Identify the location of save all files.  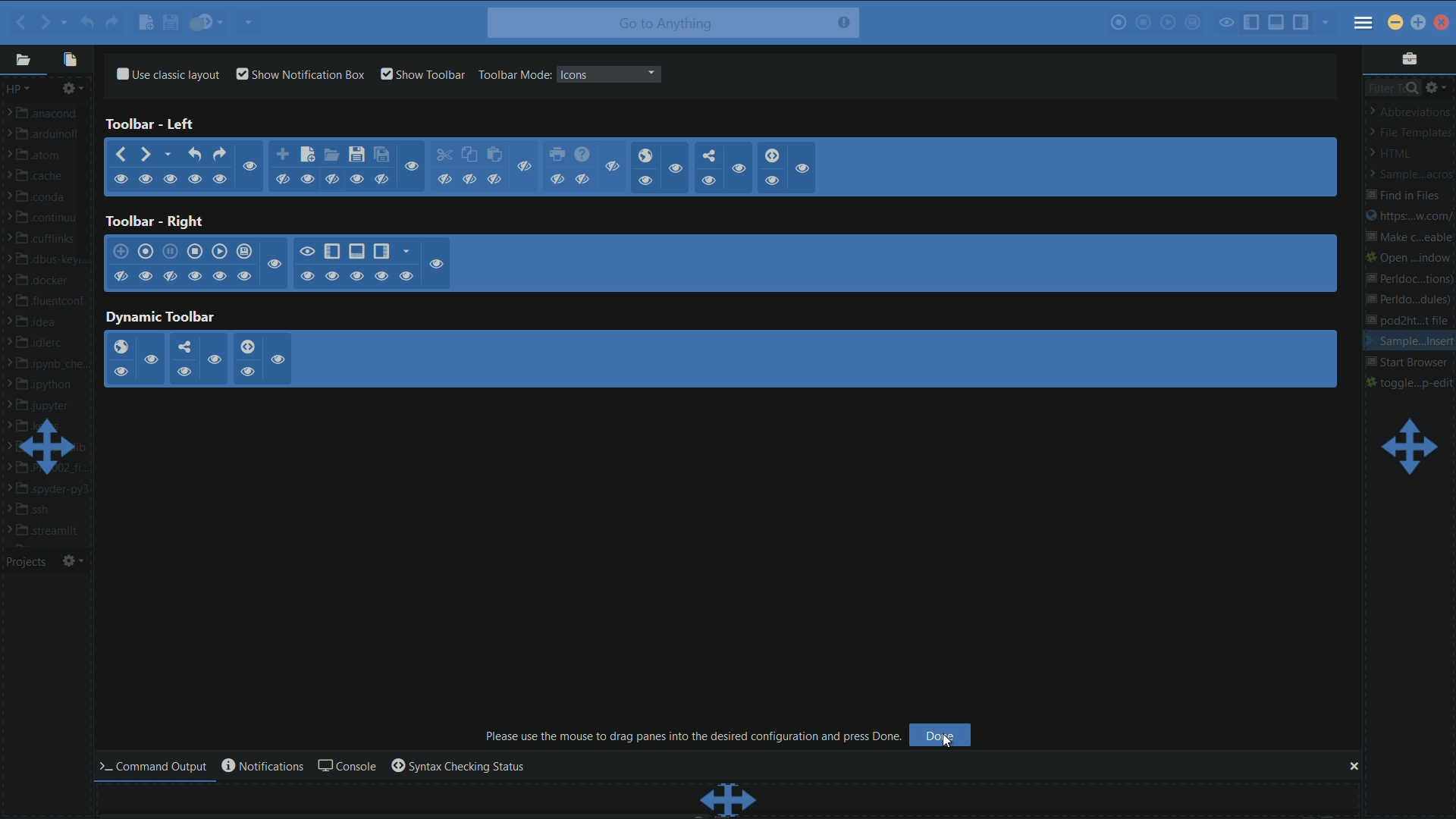
(381, 155).